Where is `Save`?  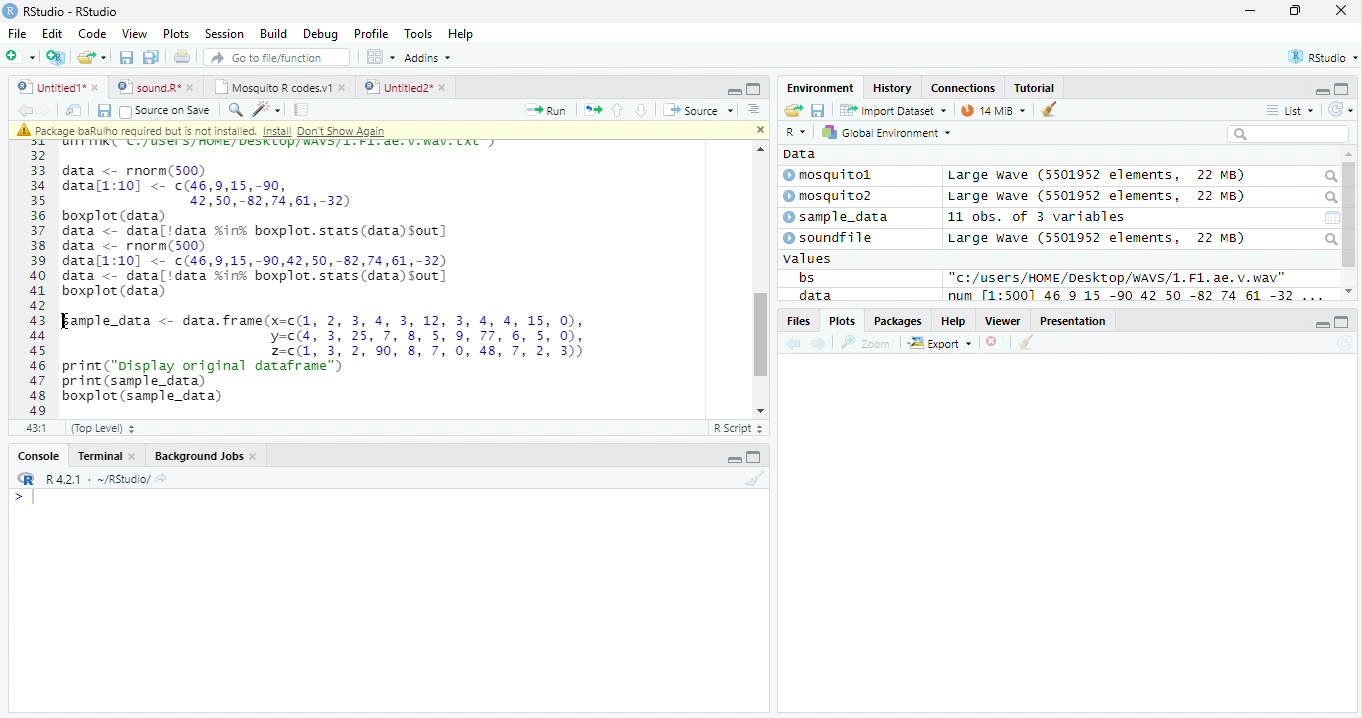
Save is located at coordinates (103, 111).